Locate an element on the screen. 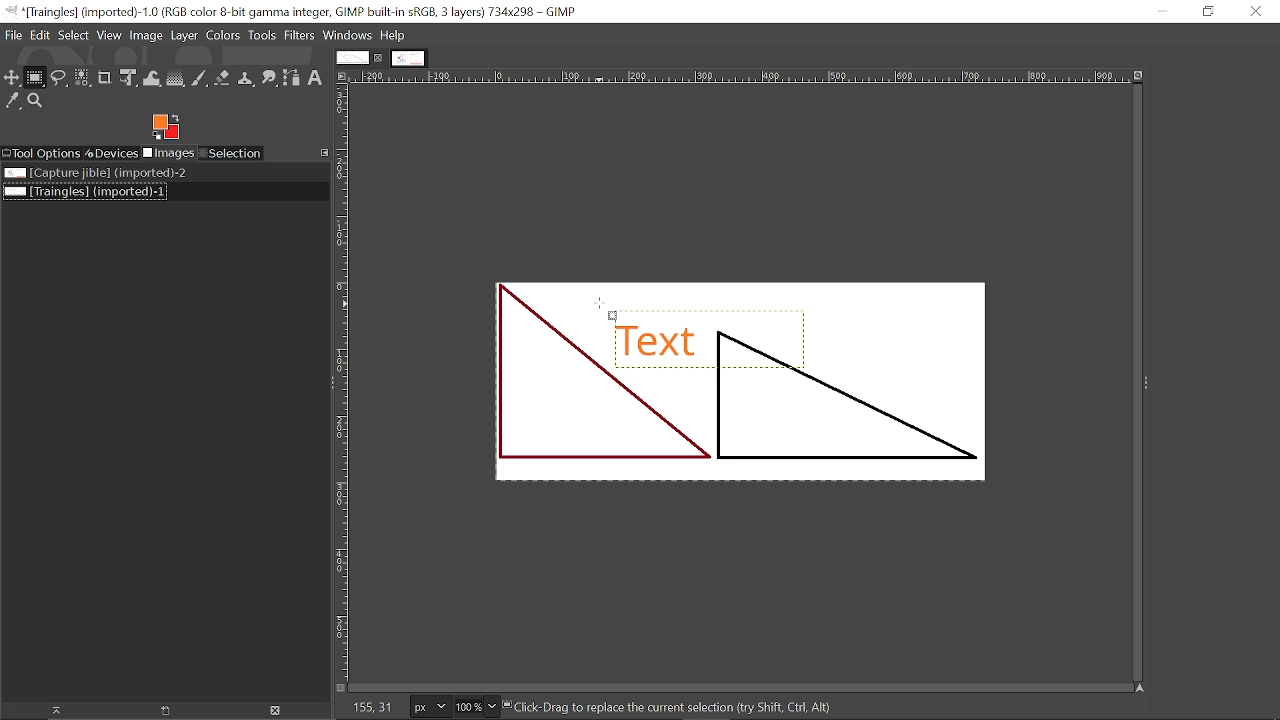 The height and width of the screenshot is (720, 1280). Imges is located at coordinates (168, 153).